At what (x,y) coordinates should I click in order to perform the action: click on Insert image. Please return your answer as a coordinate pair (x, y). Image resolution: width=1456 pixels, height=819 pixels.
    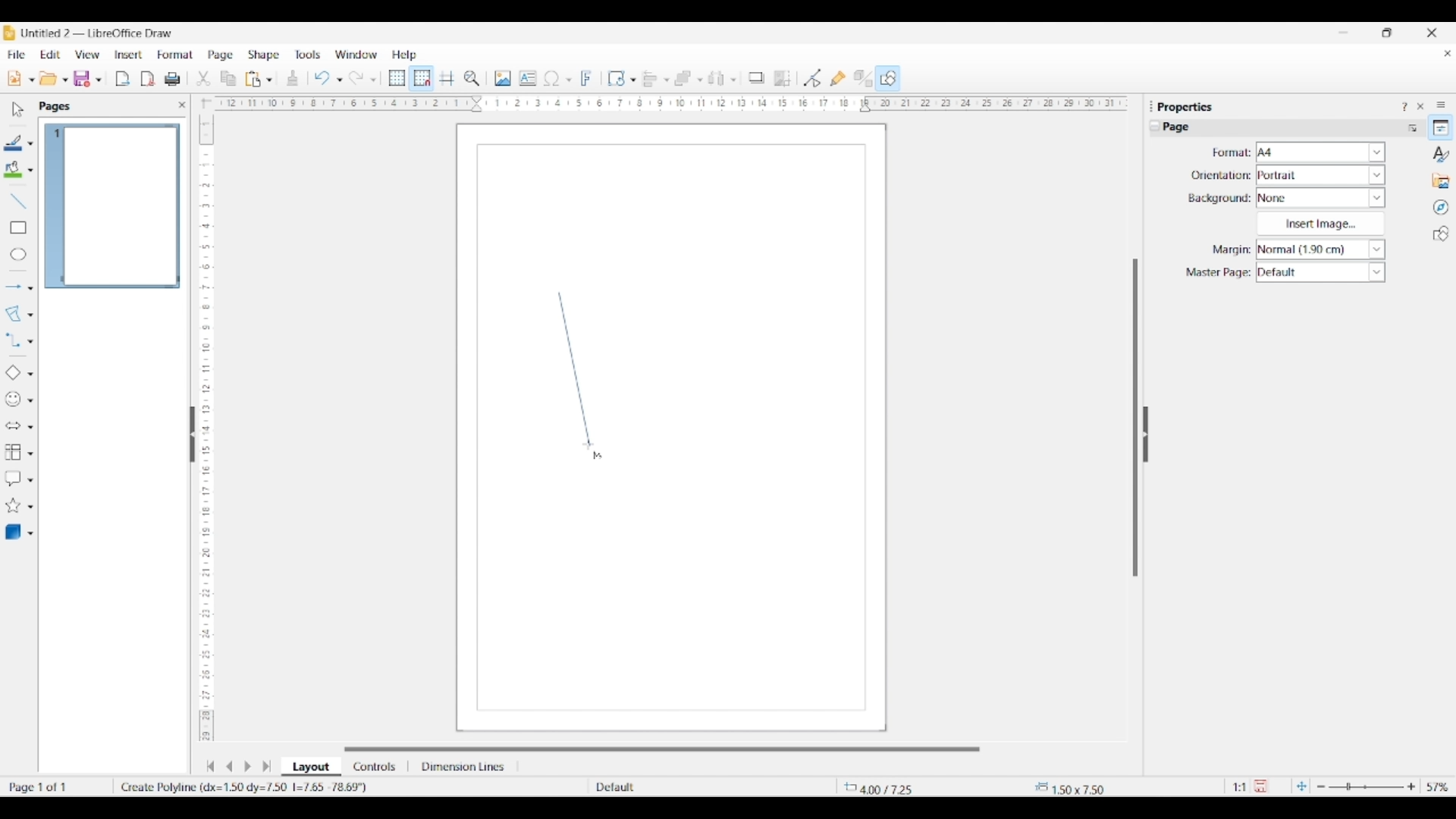
    Looking at the image, I should click on (503, 78).